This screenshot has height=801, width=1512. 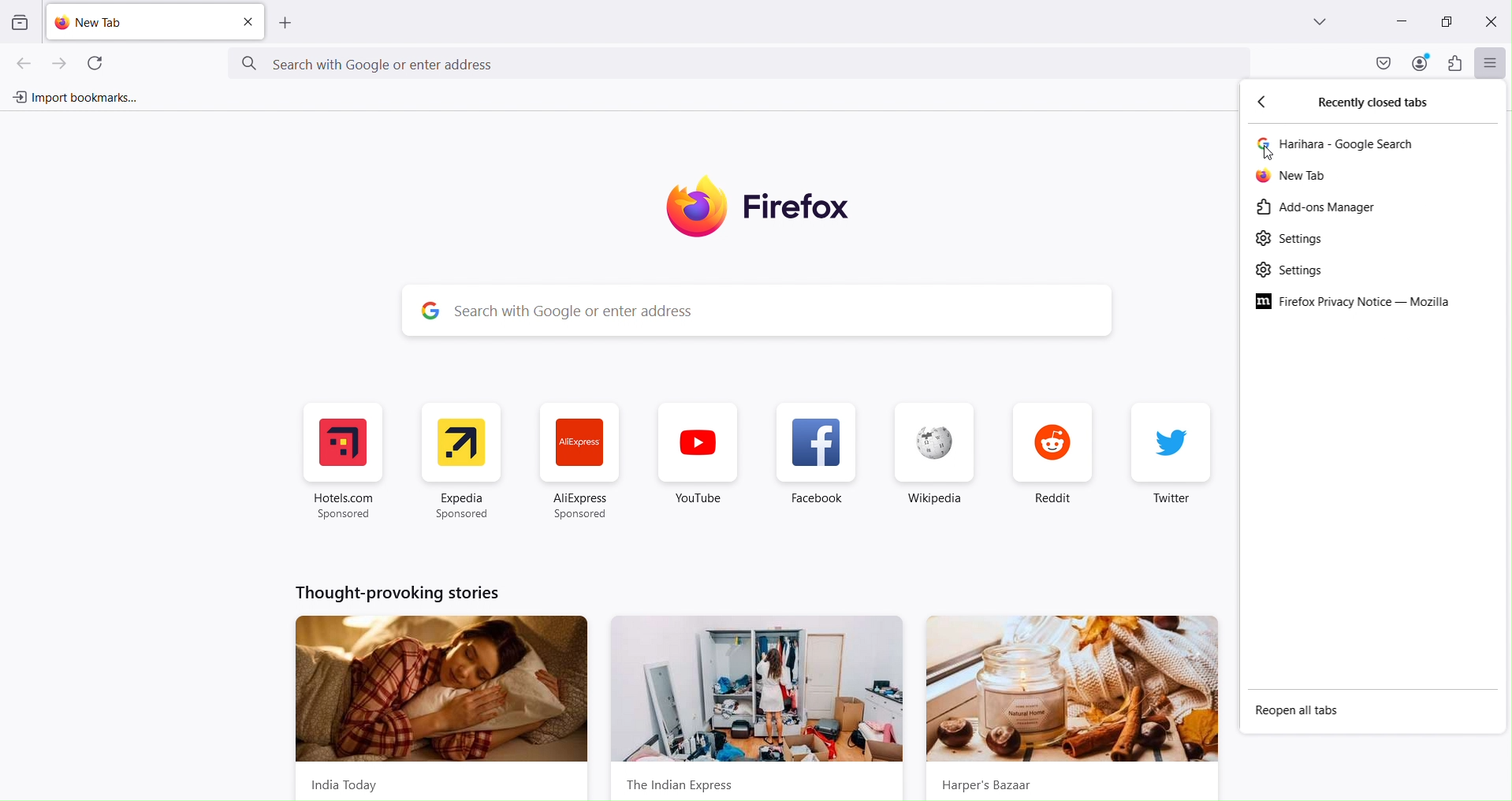 I want to click on Wikipedia Shortcut, so click(x=933, y=463).